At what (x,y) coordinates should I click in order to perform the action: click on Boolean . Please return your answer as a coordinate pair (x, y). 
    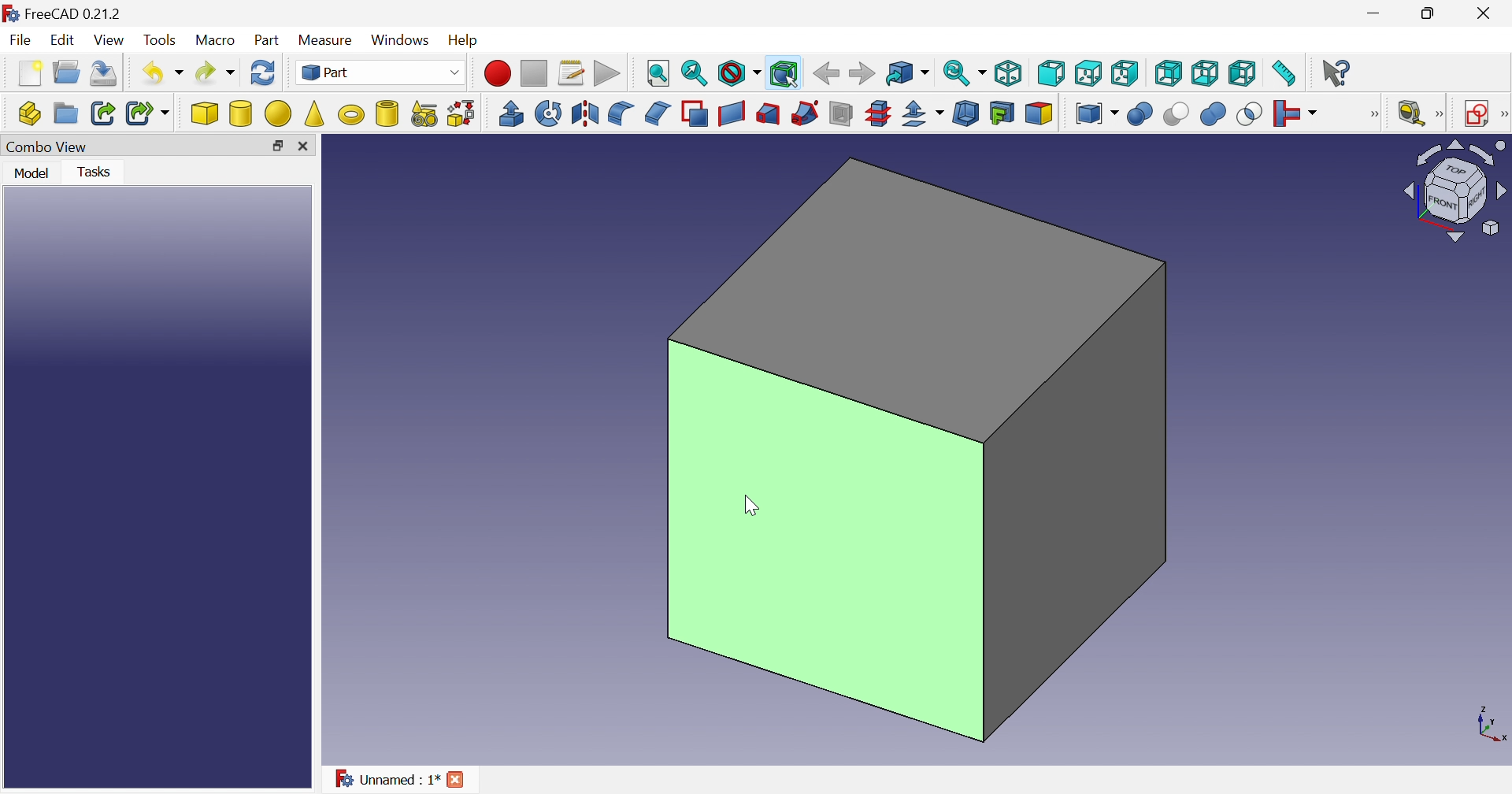
    Looking at the image, I should click on (1140, 114).